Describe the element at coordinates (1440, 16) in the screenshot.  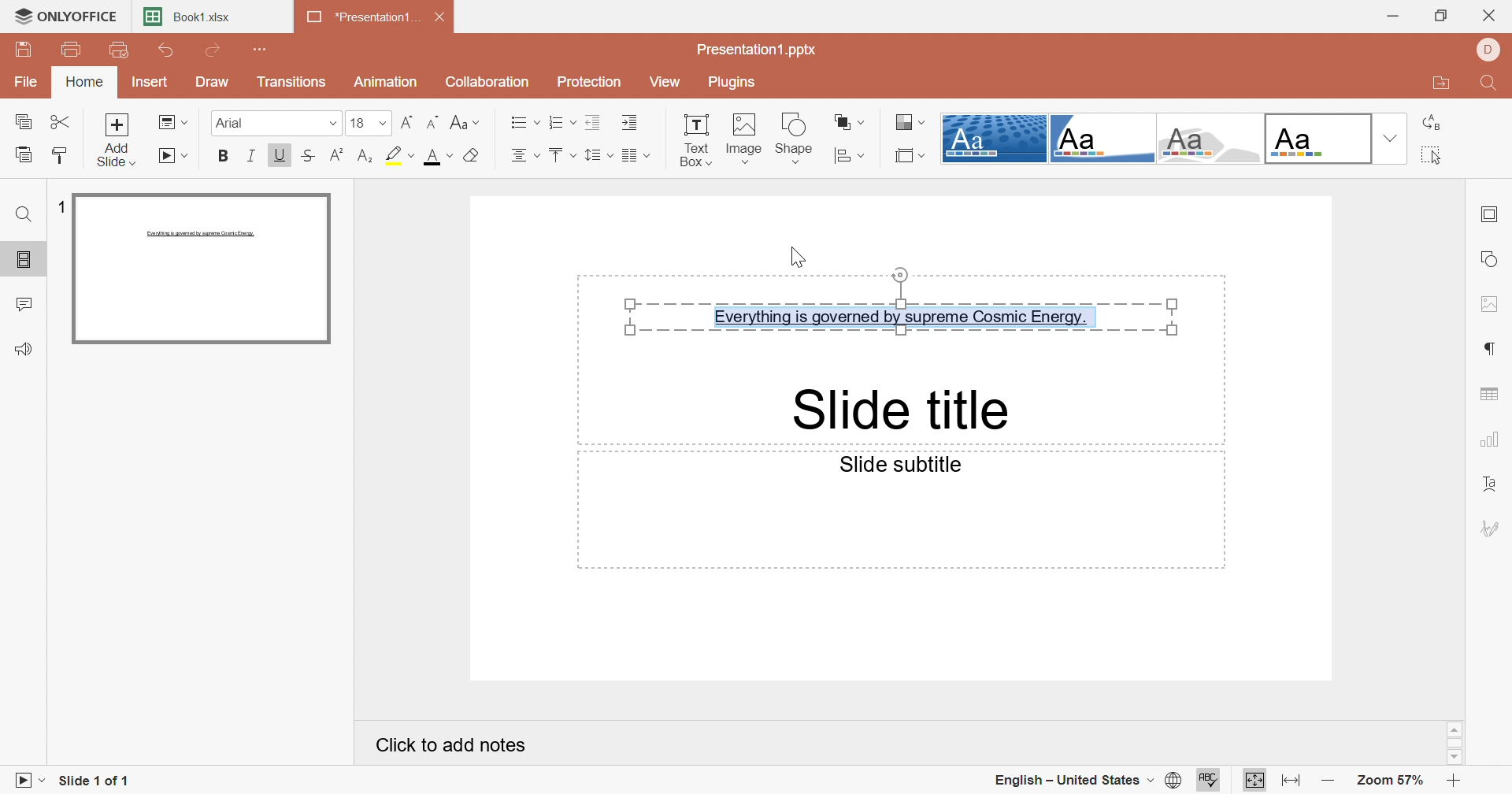
I see `Restore Down` at that location.